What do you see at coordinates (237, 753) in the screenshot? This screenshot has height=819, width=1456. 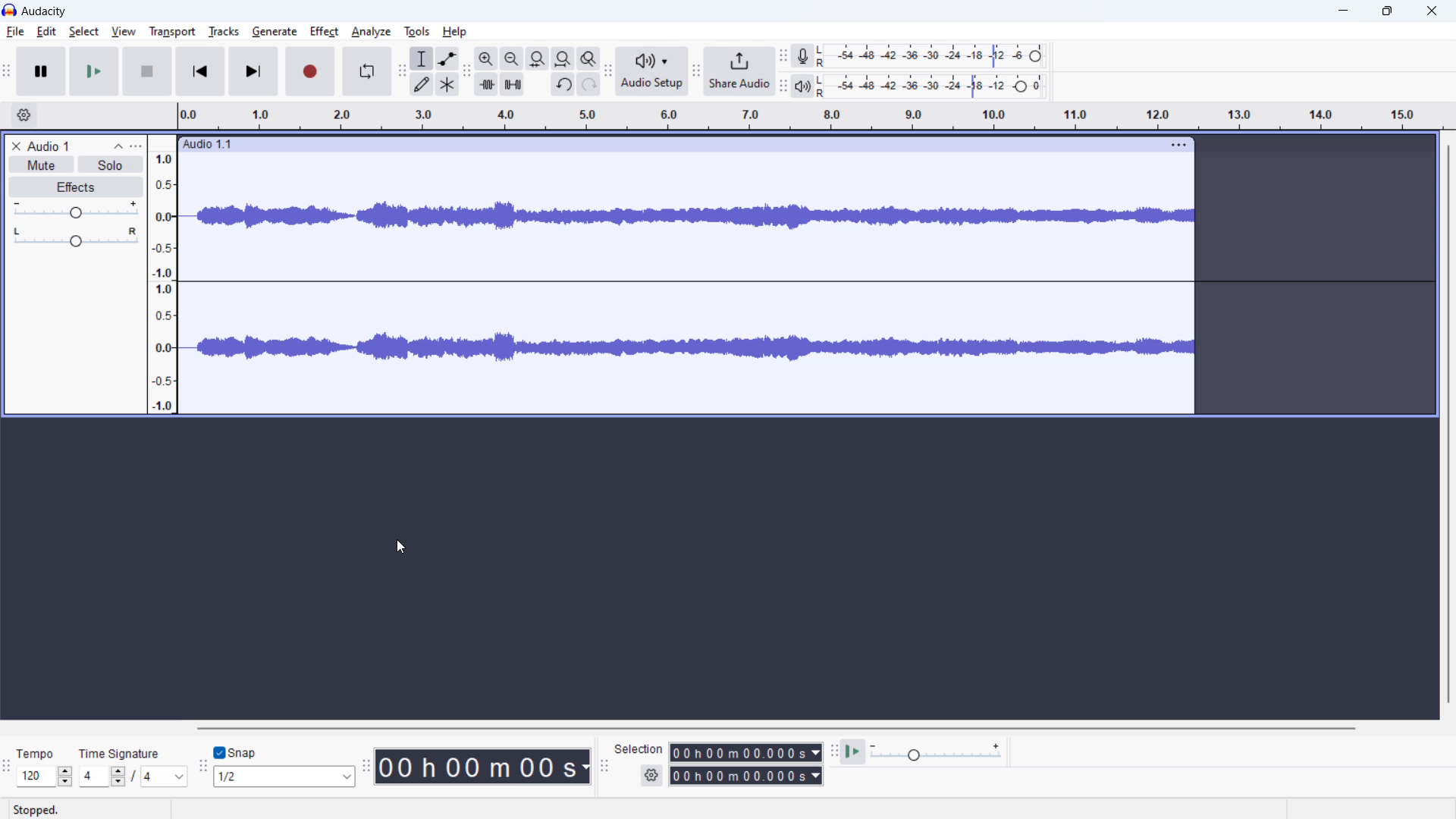 I see `toggle snap` at bounding box center [237, 753].